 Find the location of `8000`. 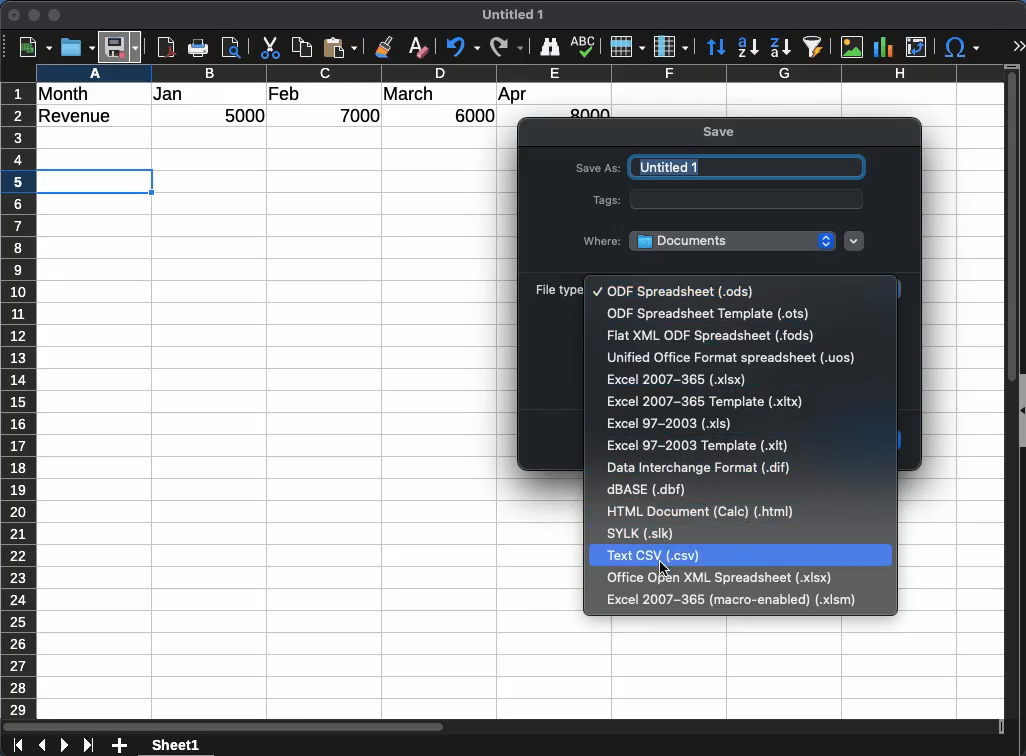

8000 is located at coordinates (587, 112).